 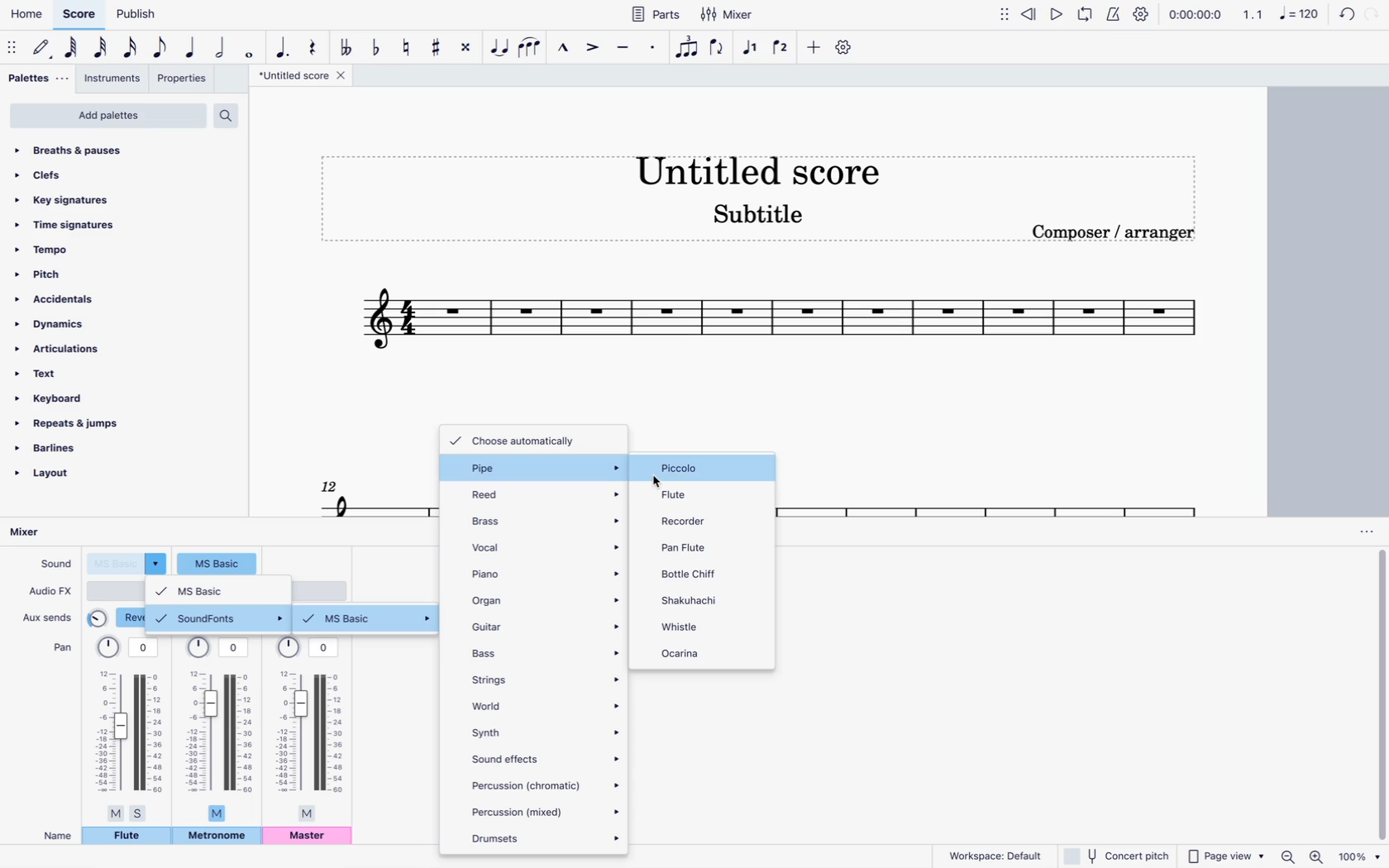 What do you see at coordinates (543, 837) in the screenshot?
I see `drumsets` at bounding box center [543, 837].